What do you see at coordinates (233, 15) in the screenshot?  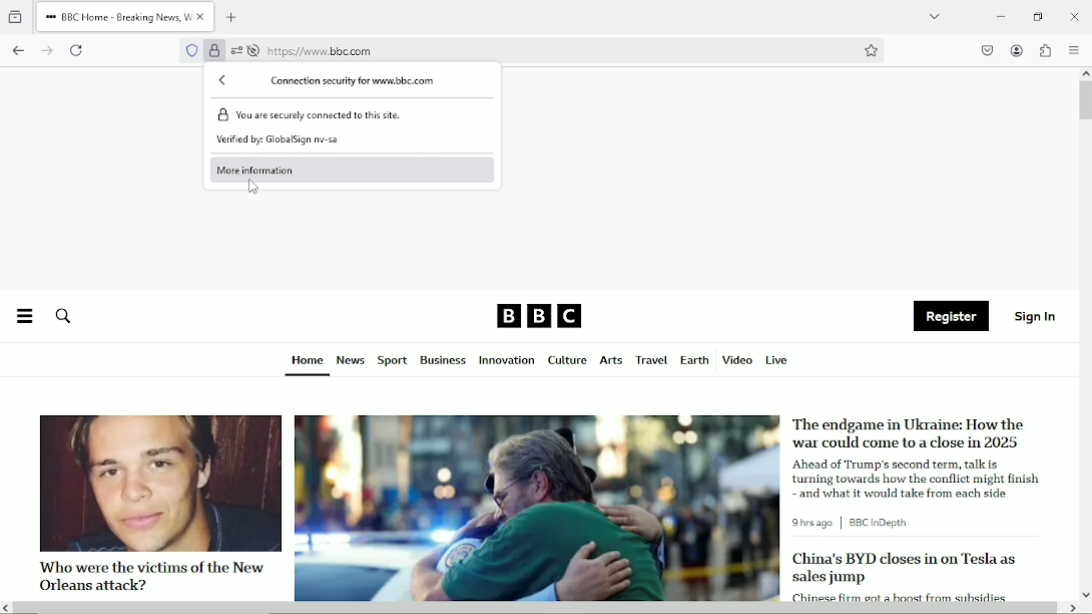 I see `New tab` at bounding box center [233, 15].